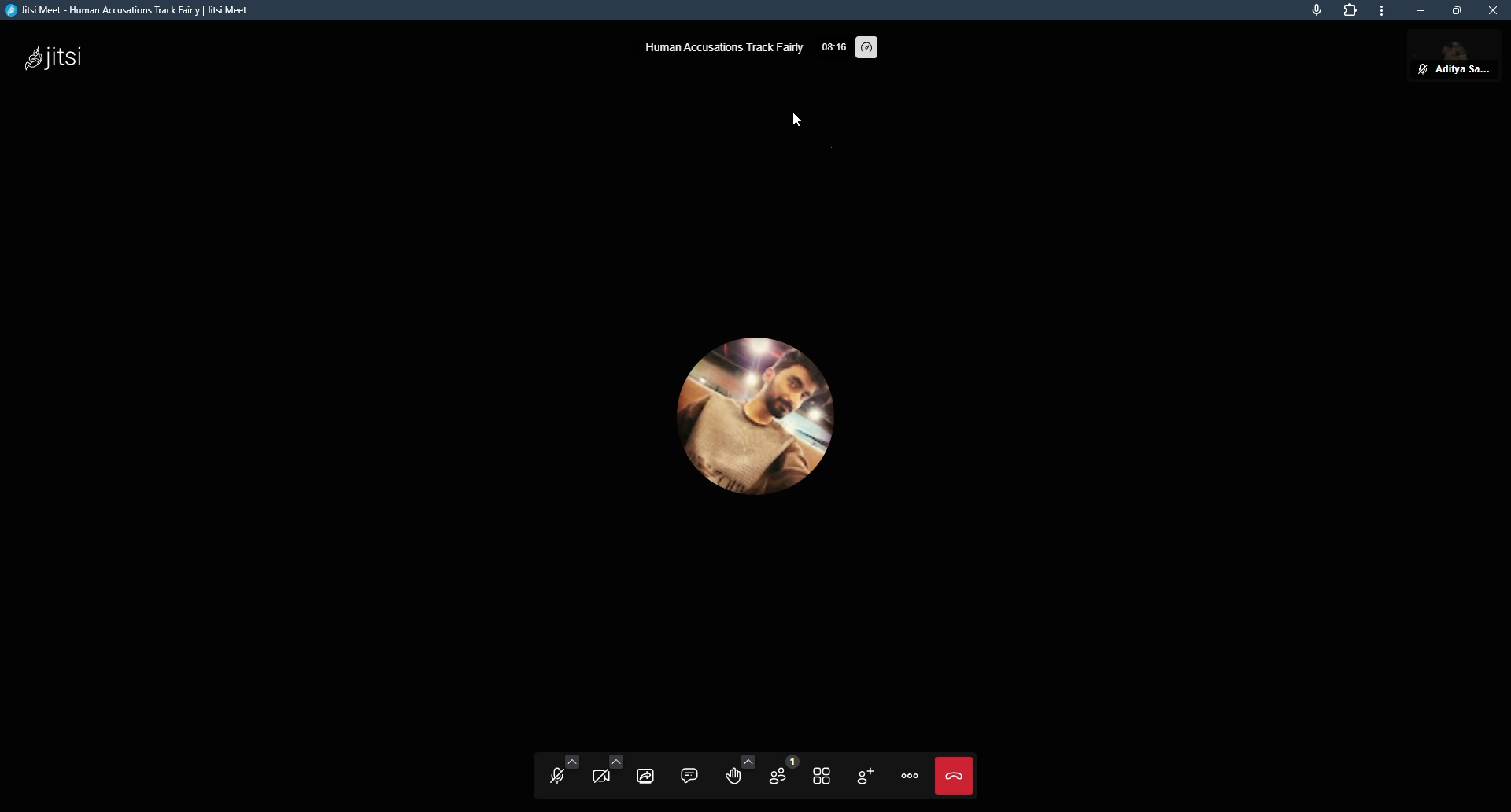  Describe the element at coordinates (782, 772) in the screenshot. I see `people` at that location.